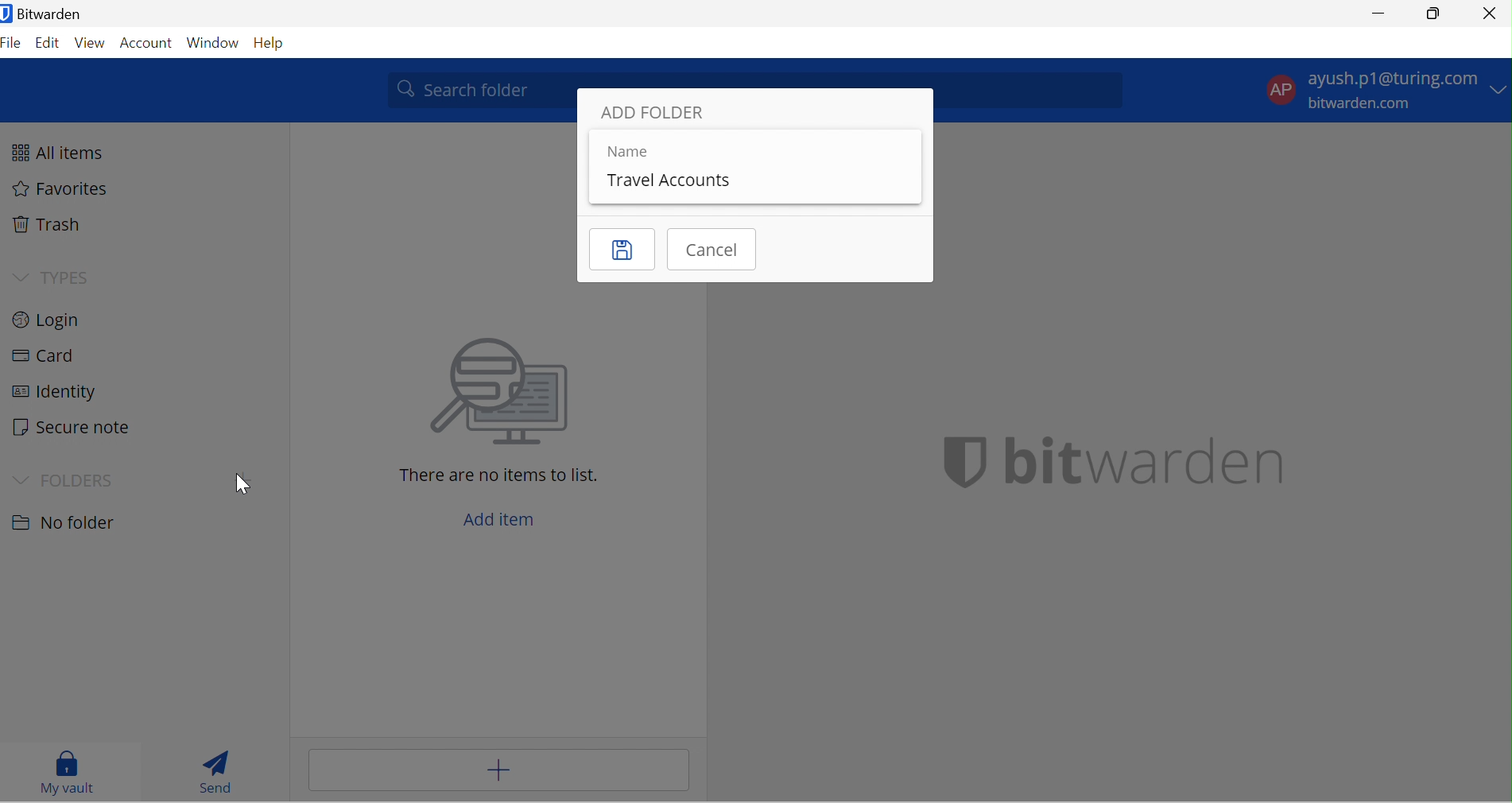 The width and height of the screenshot is (1512, 803). What do you see at coordinates (1436, 13) in the screenshot?
I see `Restore Down` at bounding box center [1436, 13].